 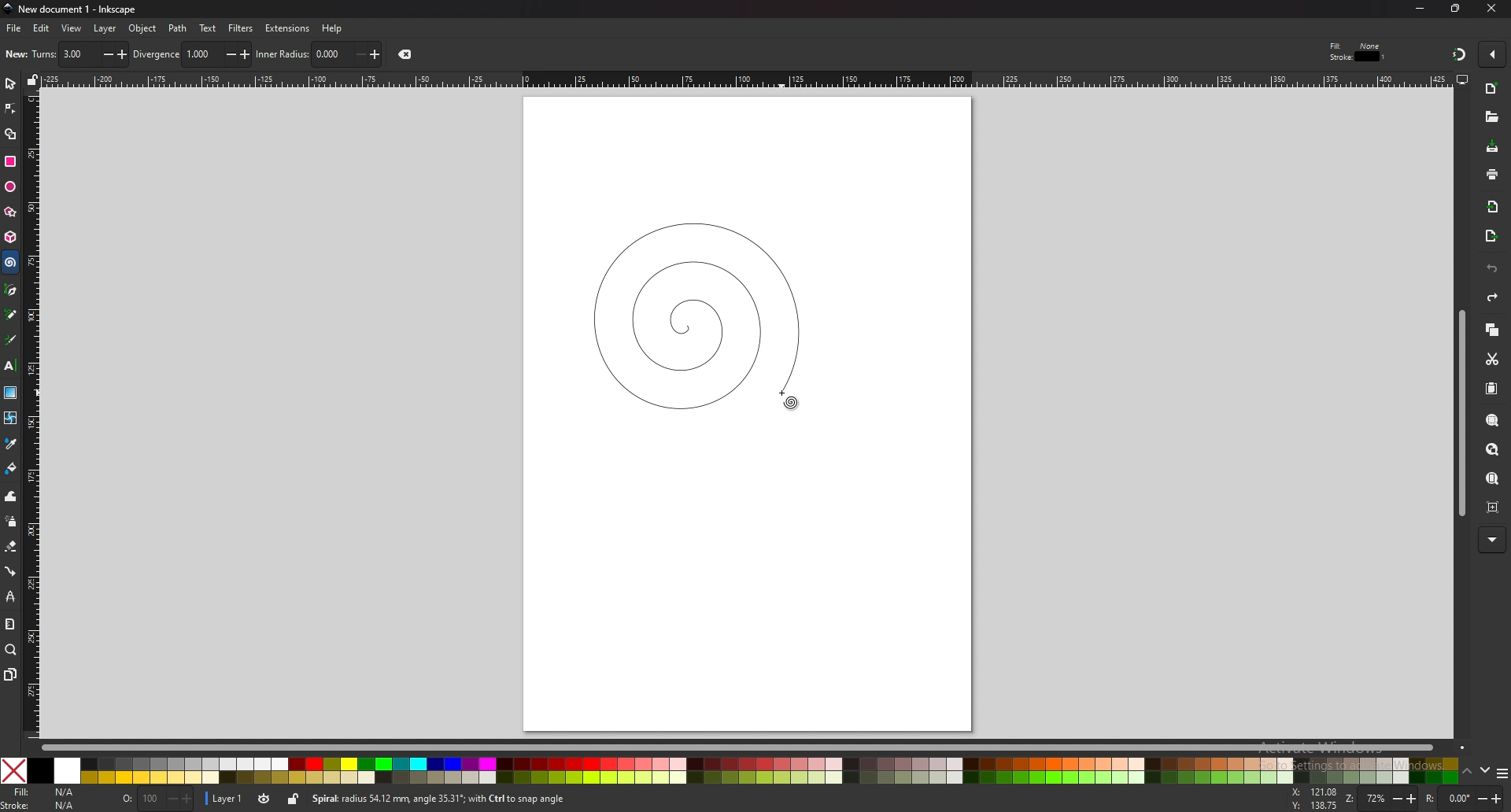 I want to click on cursor, so click(x=786, y=397).